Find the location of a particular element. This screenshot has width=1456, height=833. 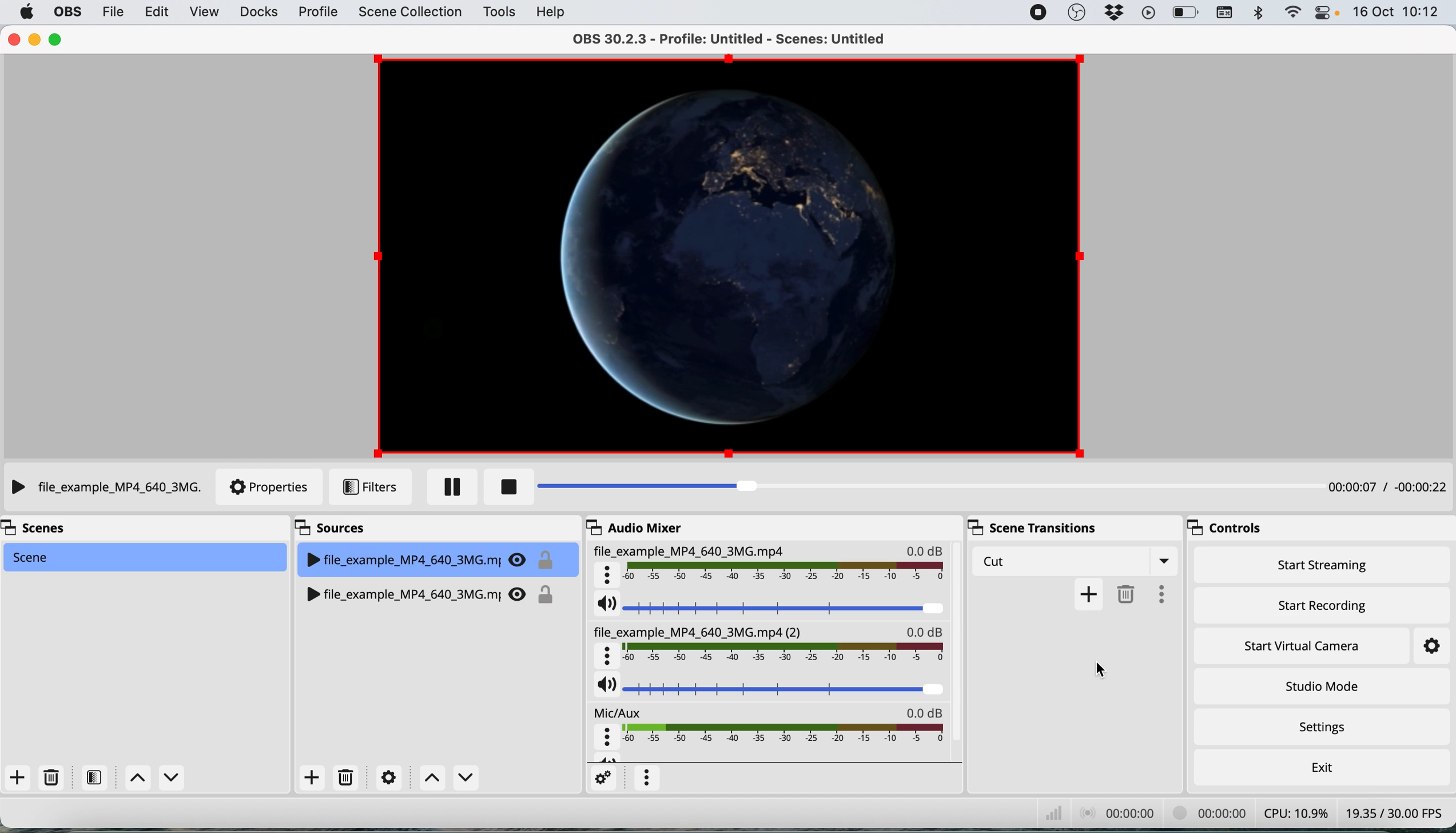

system logo is located at coordinates (29, 12).